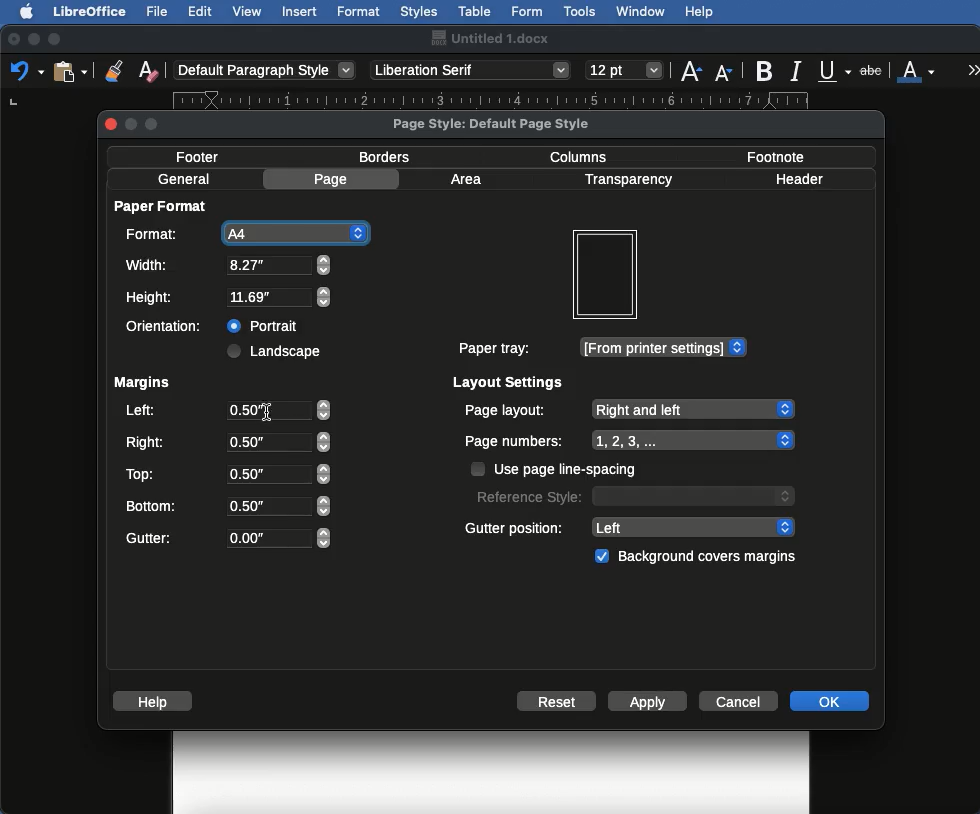  Describe the element at coordinates (556, 469) in the screenshot. I see `Use page line spacing` at that location.